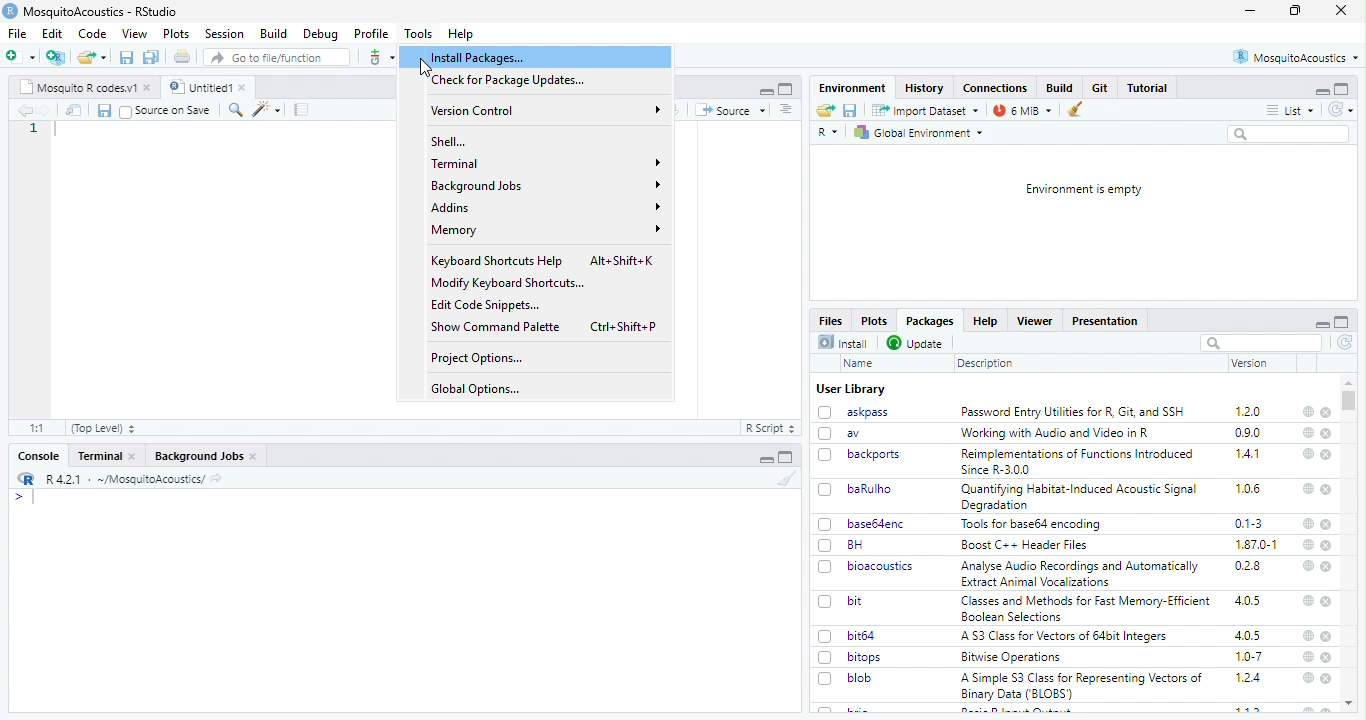 This screenshot has height=720, width=1366. What do you see at coordinates (1308, 453) in the screenshot?
I see `web` at bounding box center [1308, 453].